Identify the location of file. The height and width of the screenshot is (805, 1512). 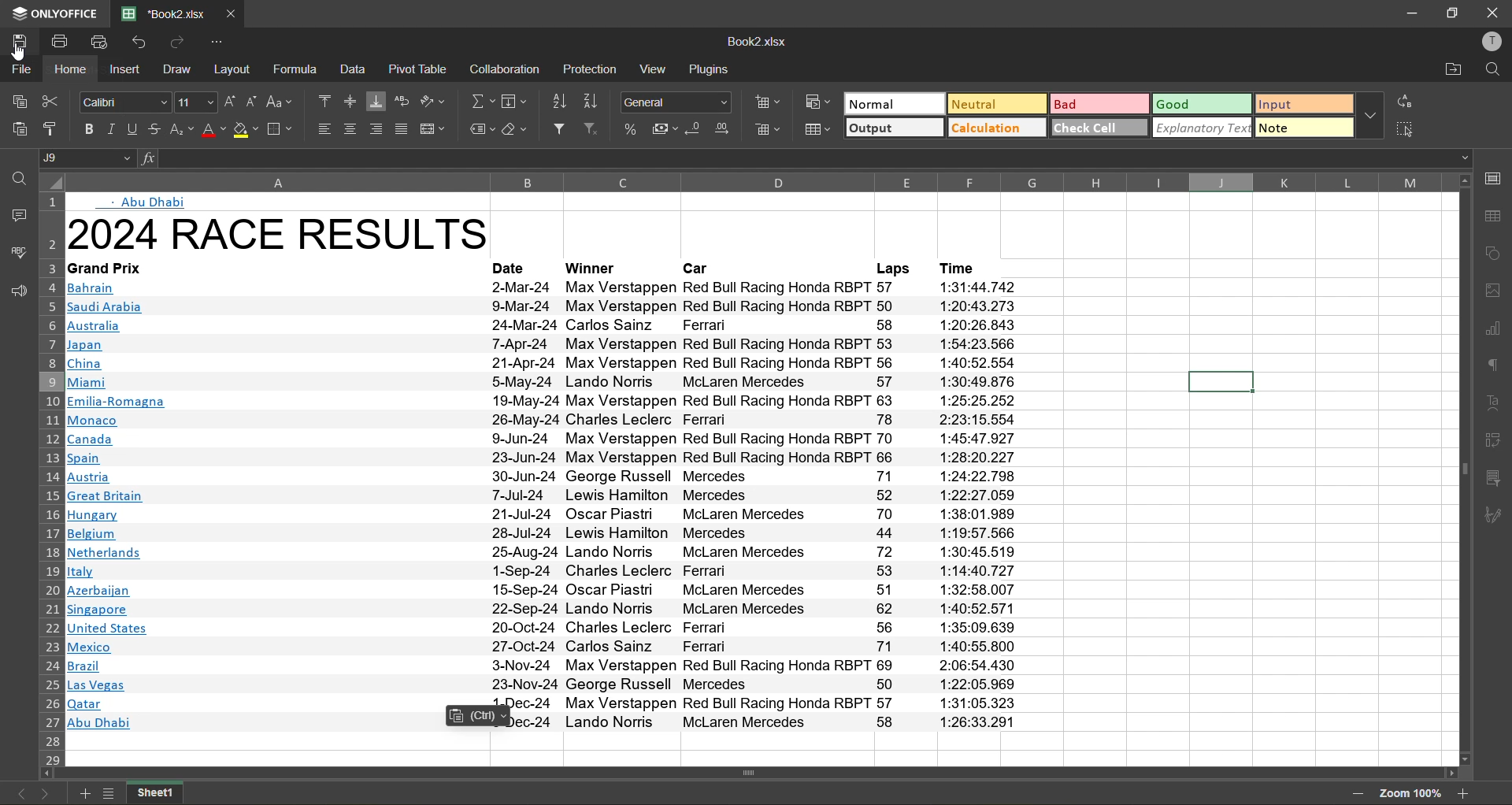
(23, 70).